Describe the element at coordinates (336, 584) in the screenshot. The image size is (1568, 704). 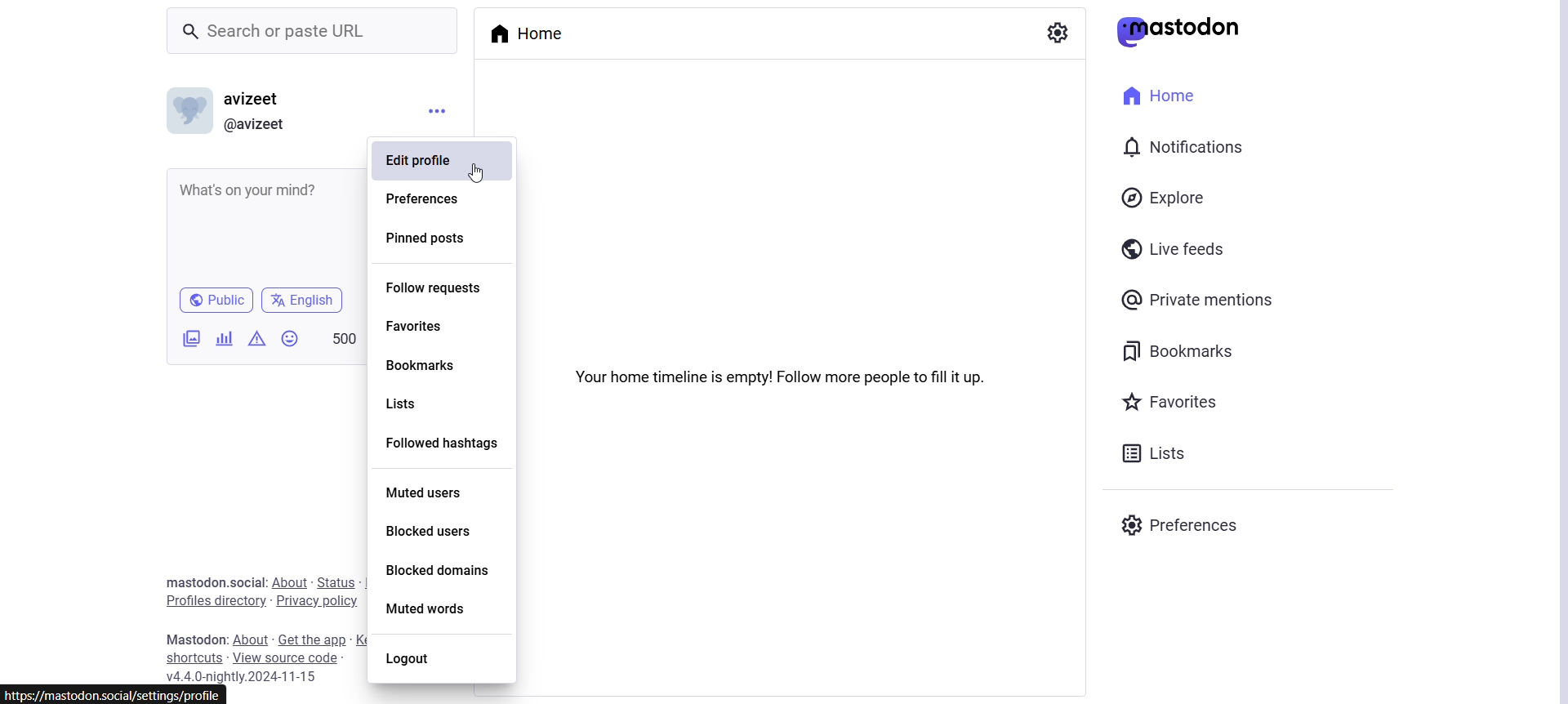
I see `Status` at that location.